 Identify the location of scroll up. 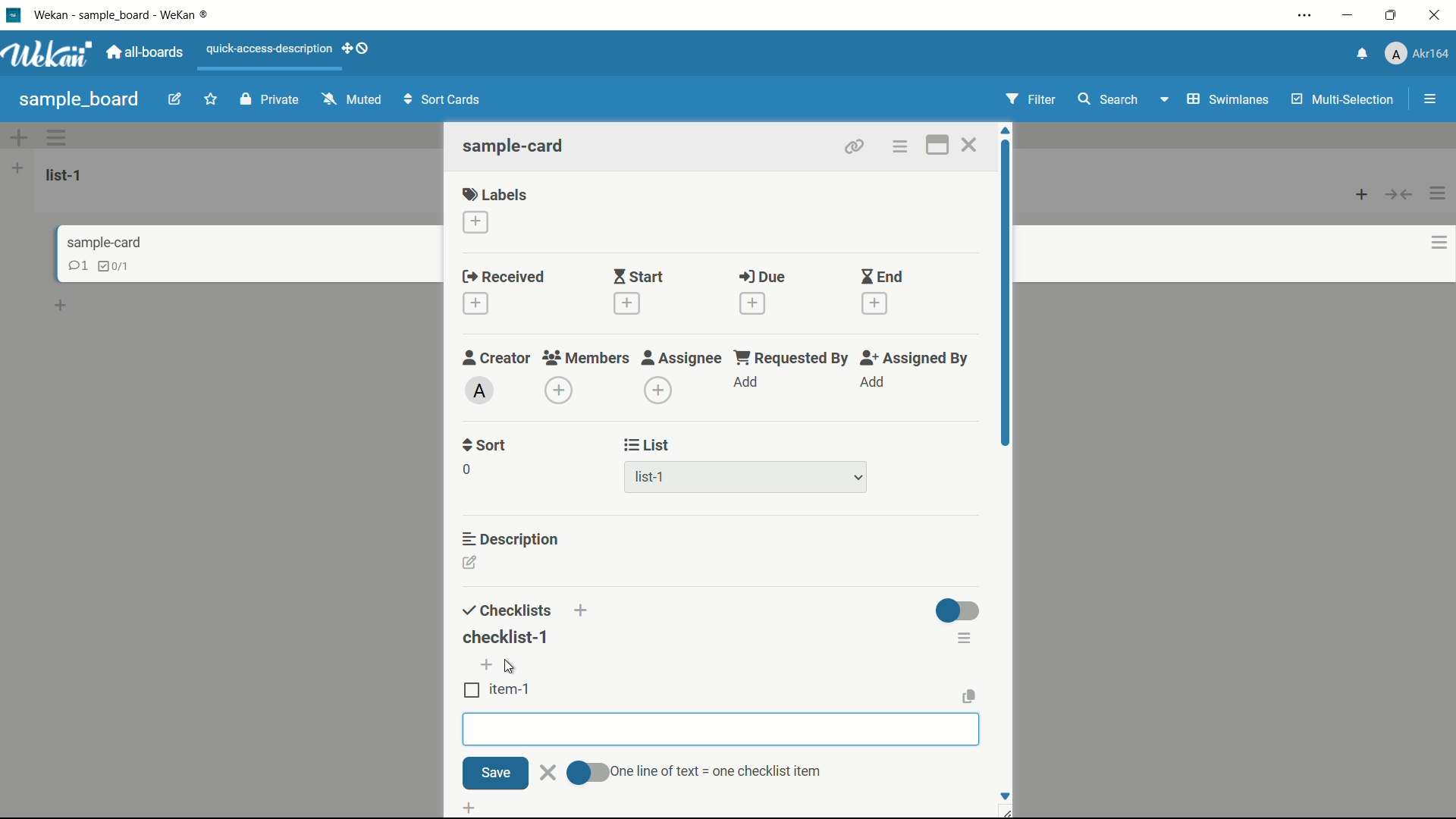
(1006, 129).